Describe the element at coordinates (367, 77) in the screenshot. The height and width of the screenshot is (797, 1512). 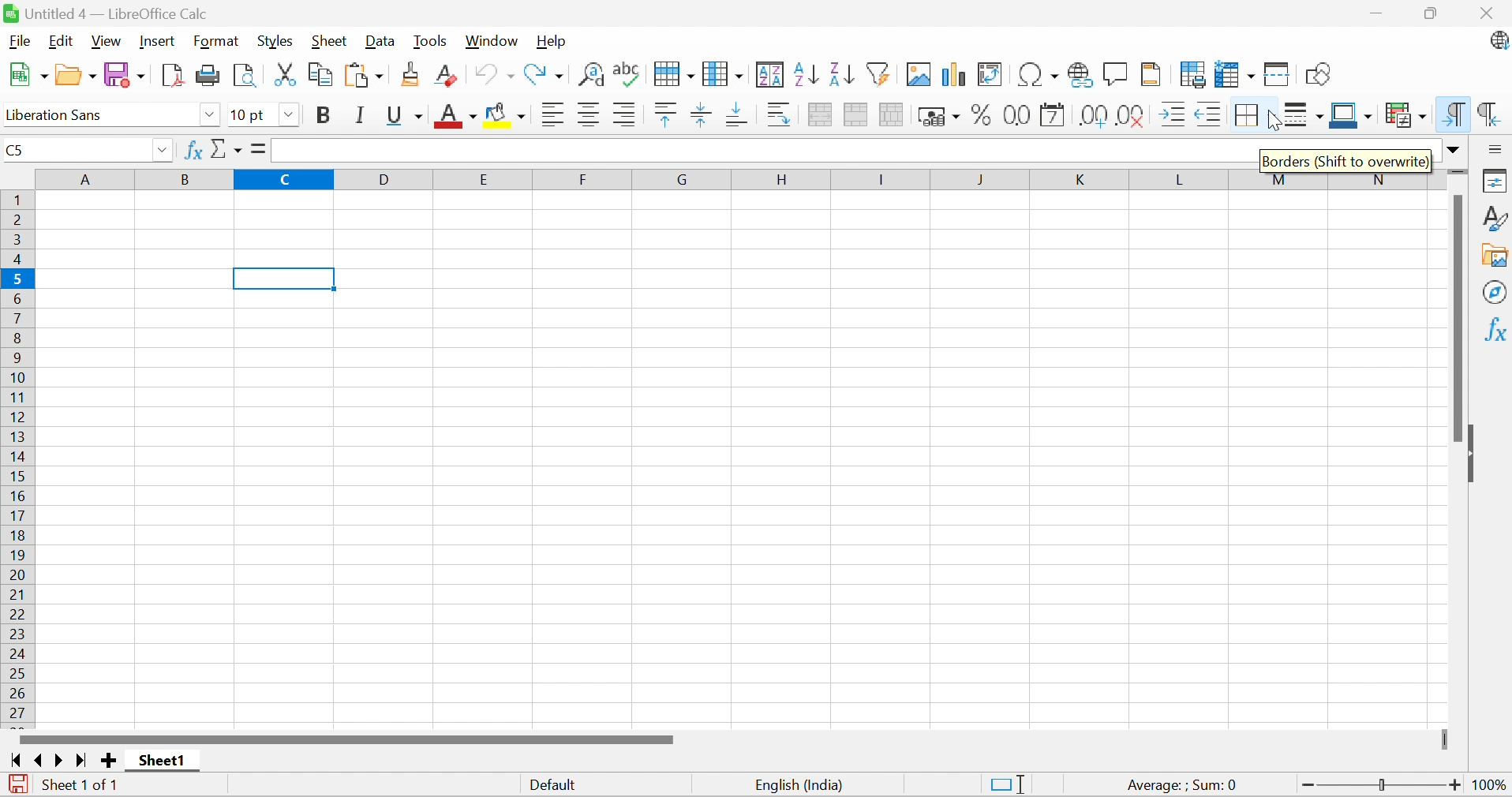
I see `Paste` at that location.